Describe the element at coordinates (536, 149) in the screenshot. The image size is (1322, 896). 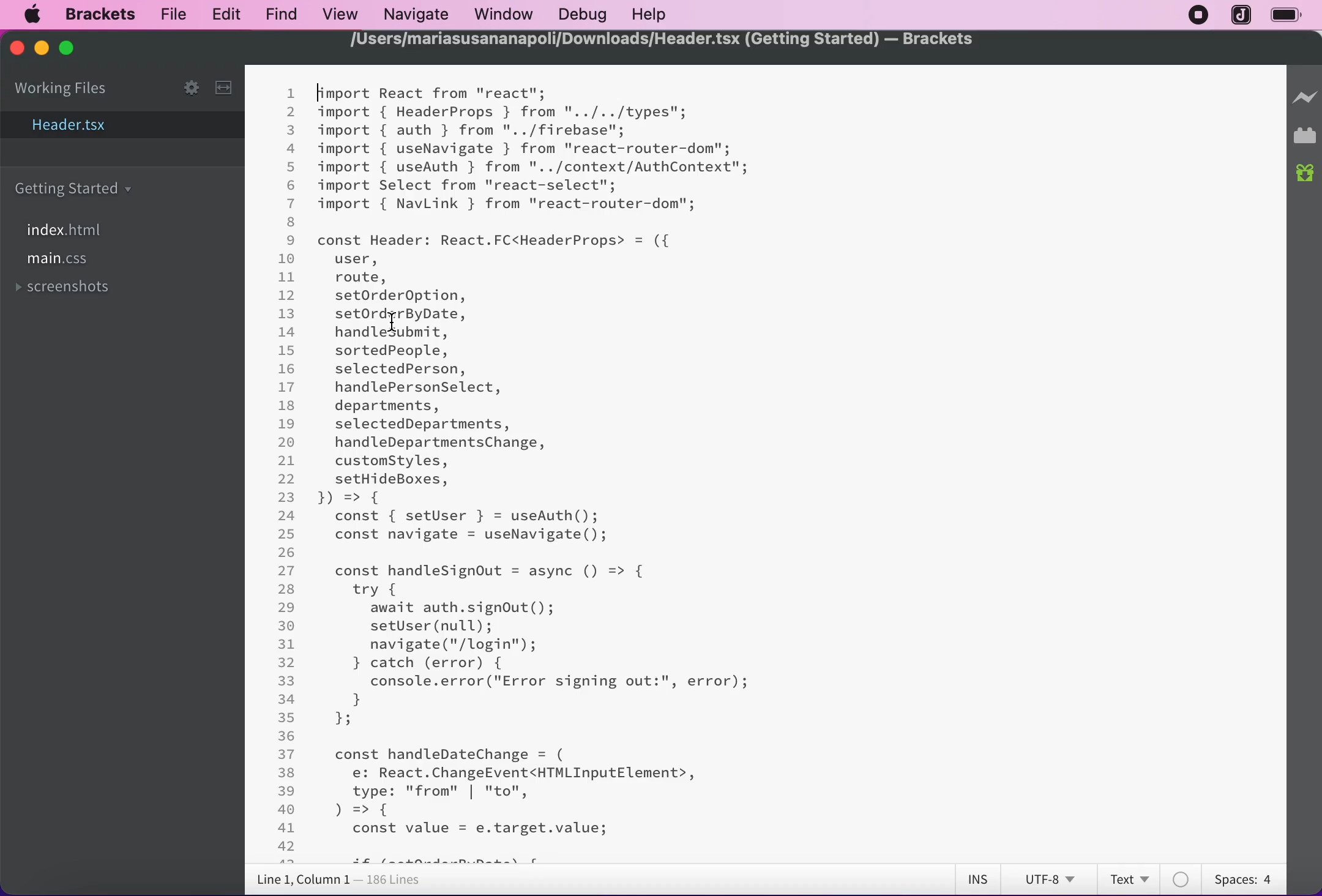
I see `import React from "react";import { HeaderProps } from "../../types";import { auth } from "../firebase";import { useNavigate } from "react-router-dom";import { useAuth } from "../context/AuthContext";import Select from "react-select";import { NavLink } from "react-router-dom";` at that location.